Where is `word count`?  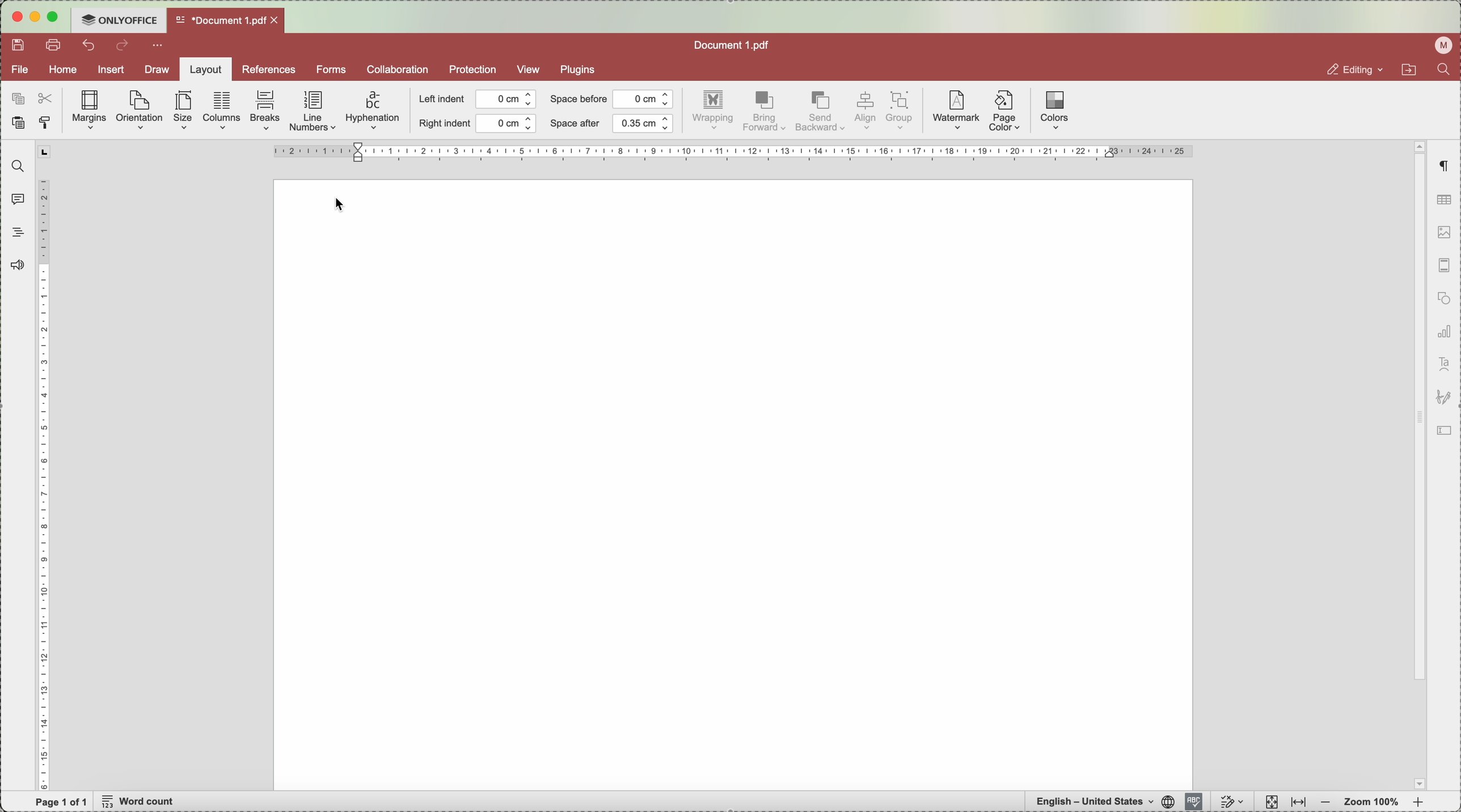 word count is located at coordinates (141, 802).